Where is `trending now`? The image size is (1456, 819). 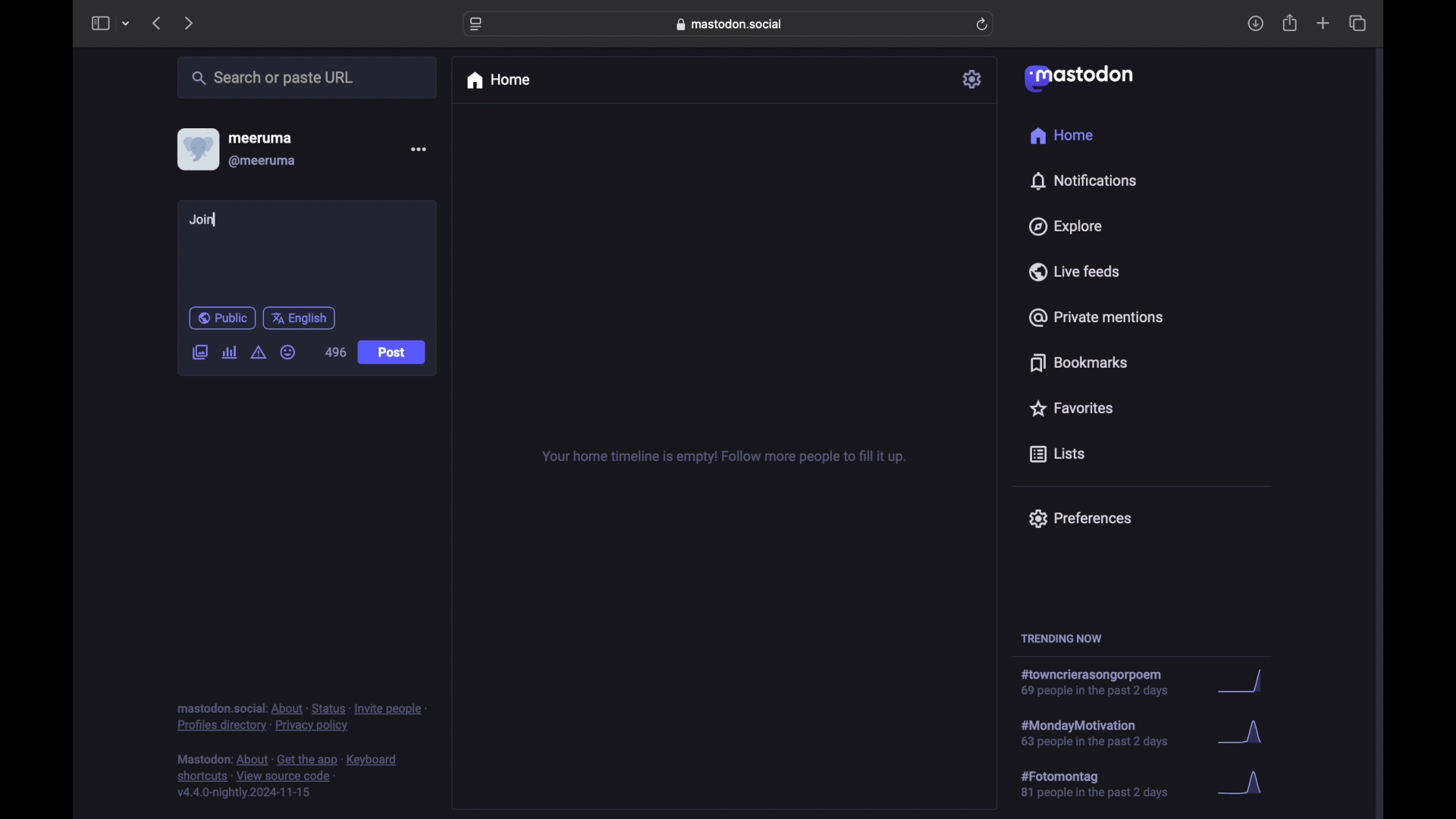
trending now is located at coordinates (1061, 639).